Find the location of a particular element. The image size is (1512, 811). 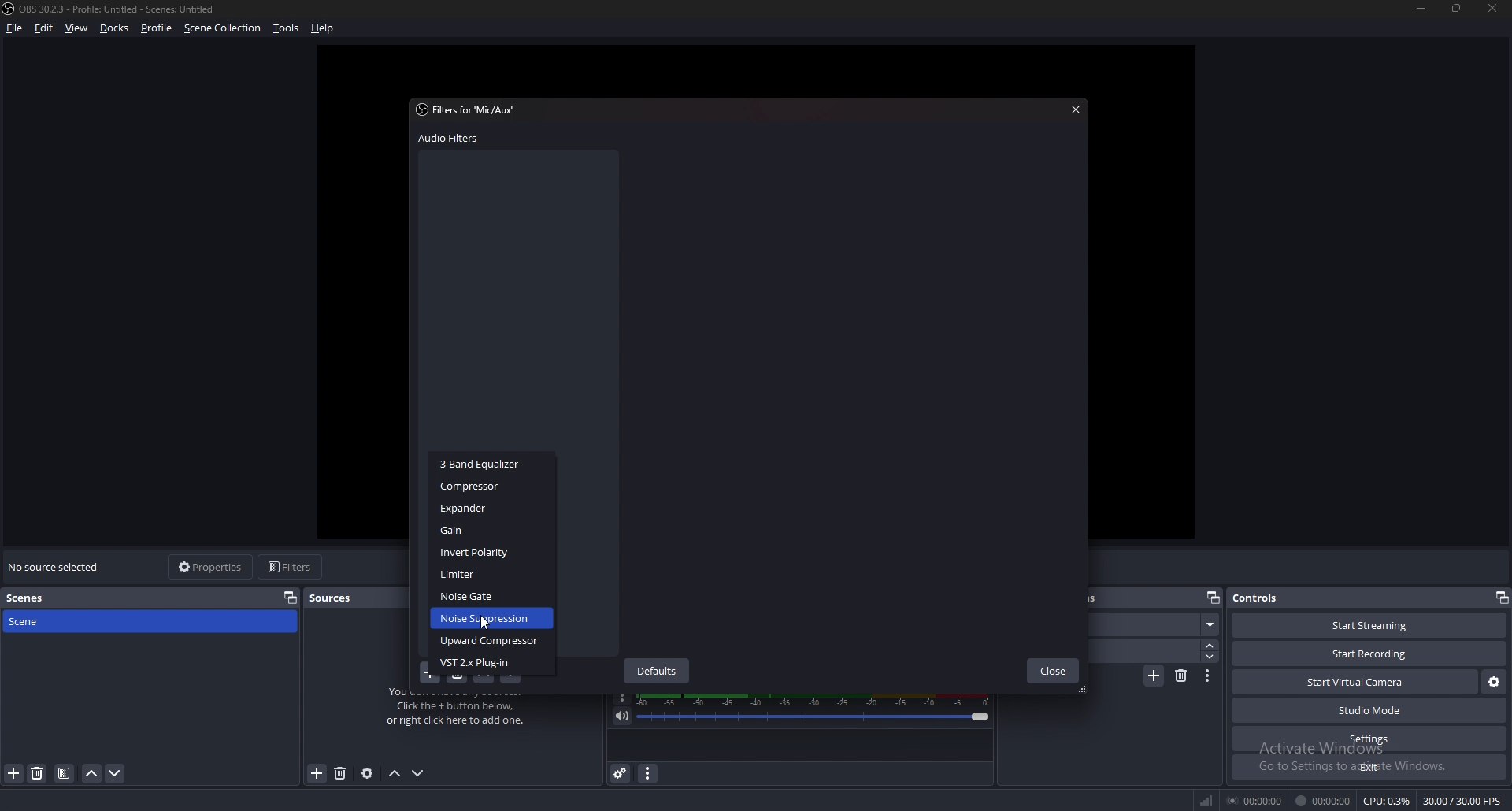

pop out is located at coordinates (1503, 598).